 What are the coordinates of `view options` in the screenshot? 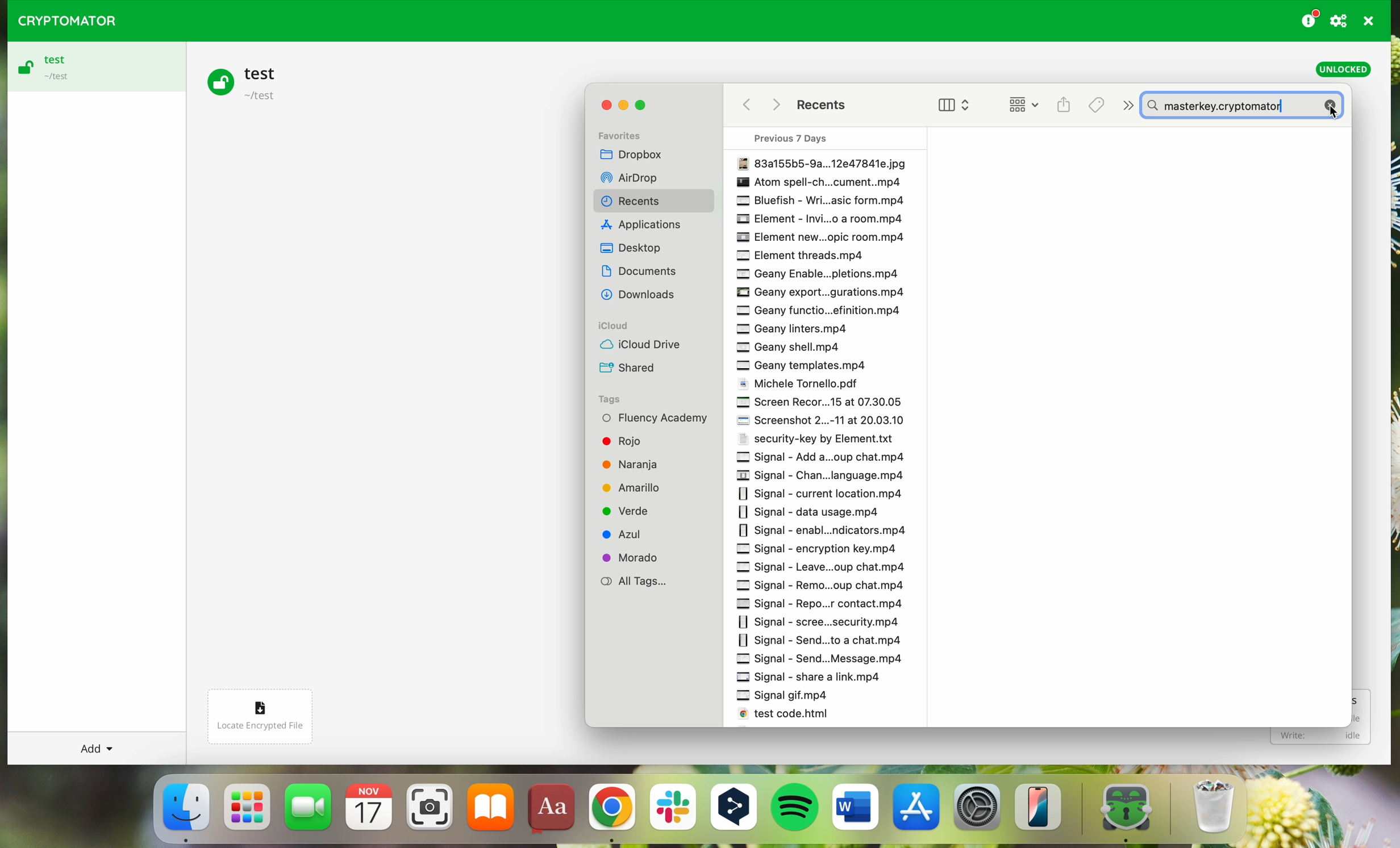 It's located at (946, 105).